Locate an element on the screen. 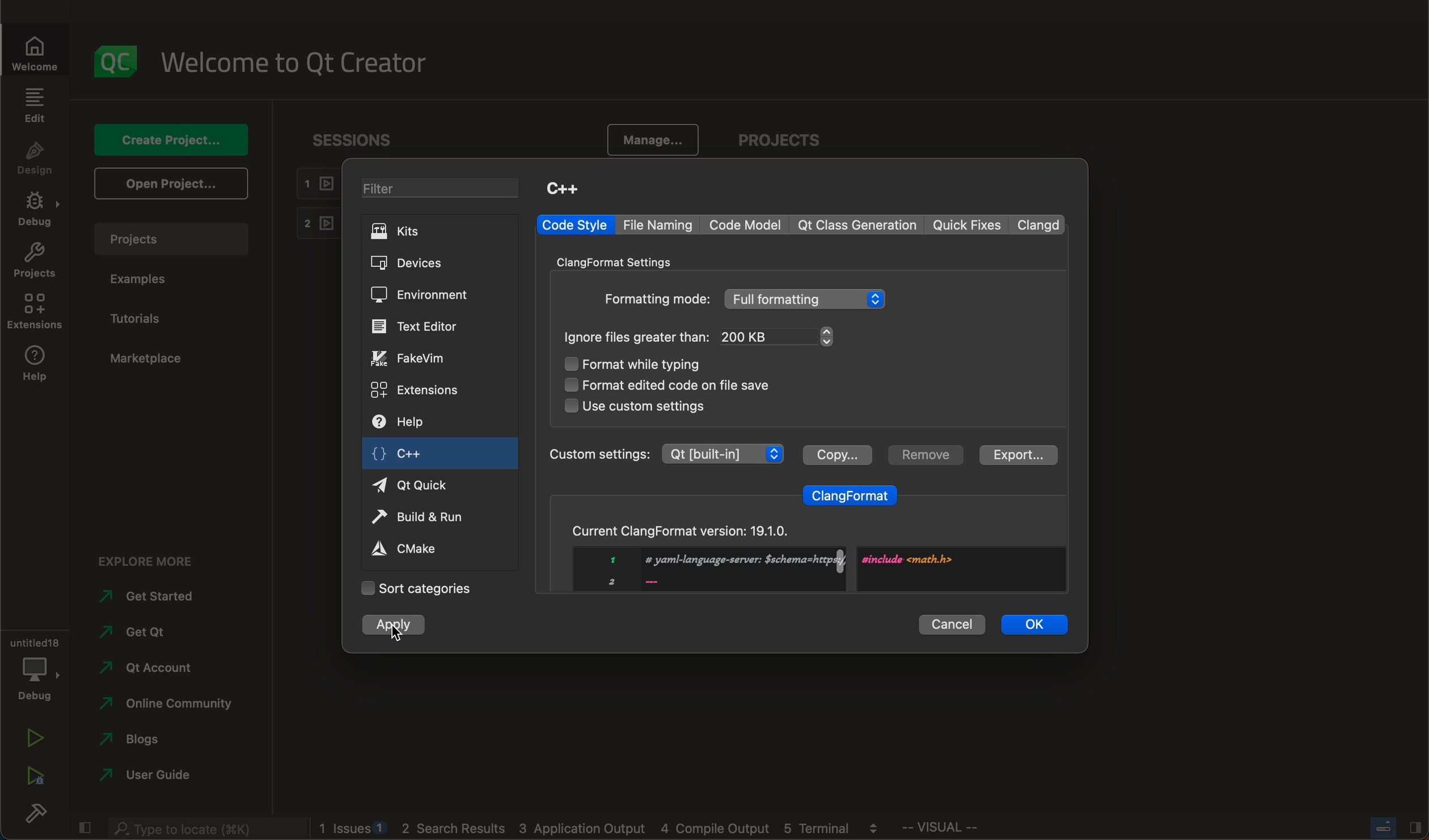 The height and width of the screenshot is (840, 1429). qt is located at coordinates (423, 484).